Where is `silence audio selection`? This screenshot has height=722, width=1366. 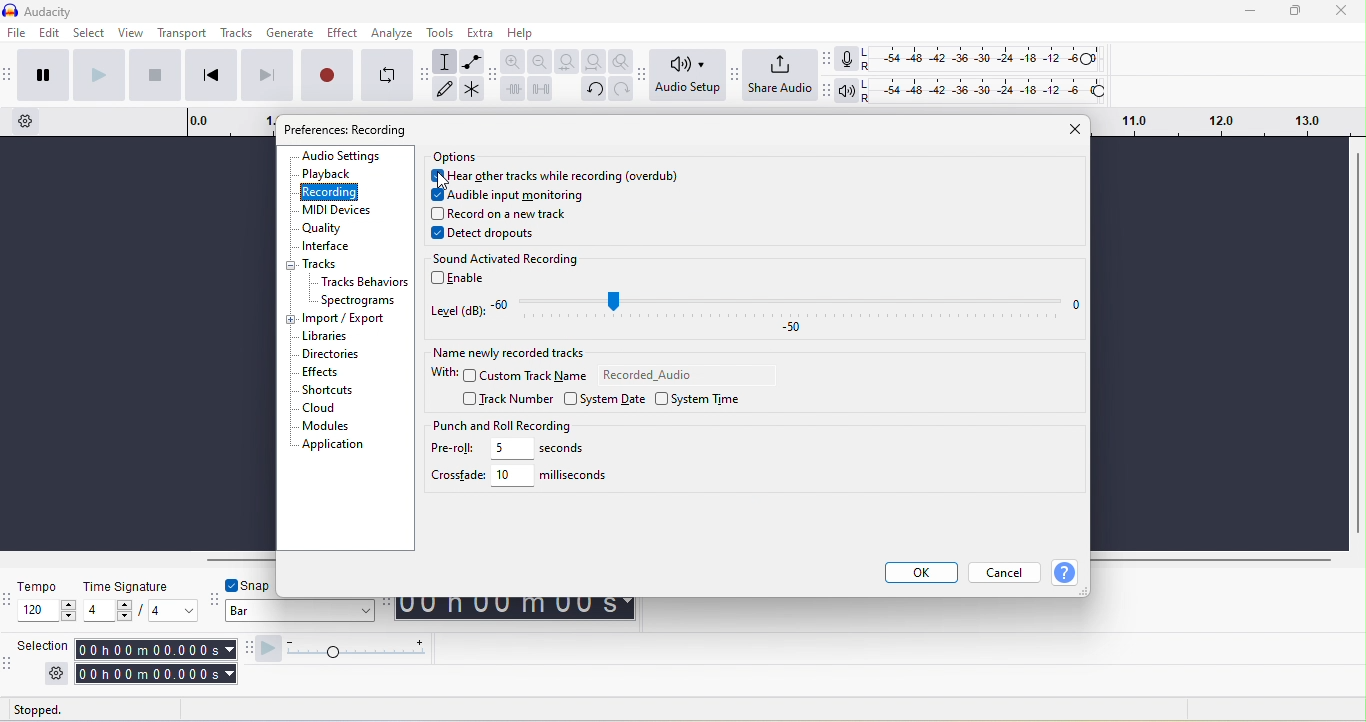
silence audio selection is located at coordinates (539, 90).